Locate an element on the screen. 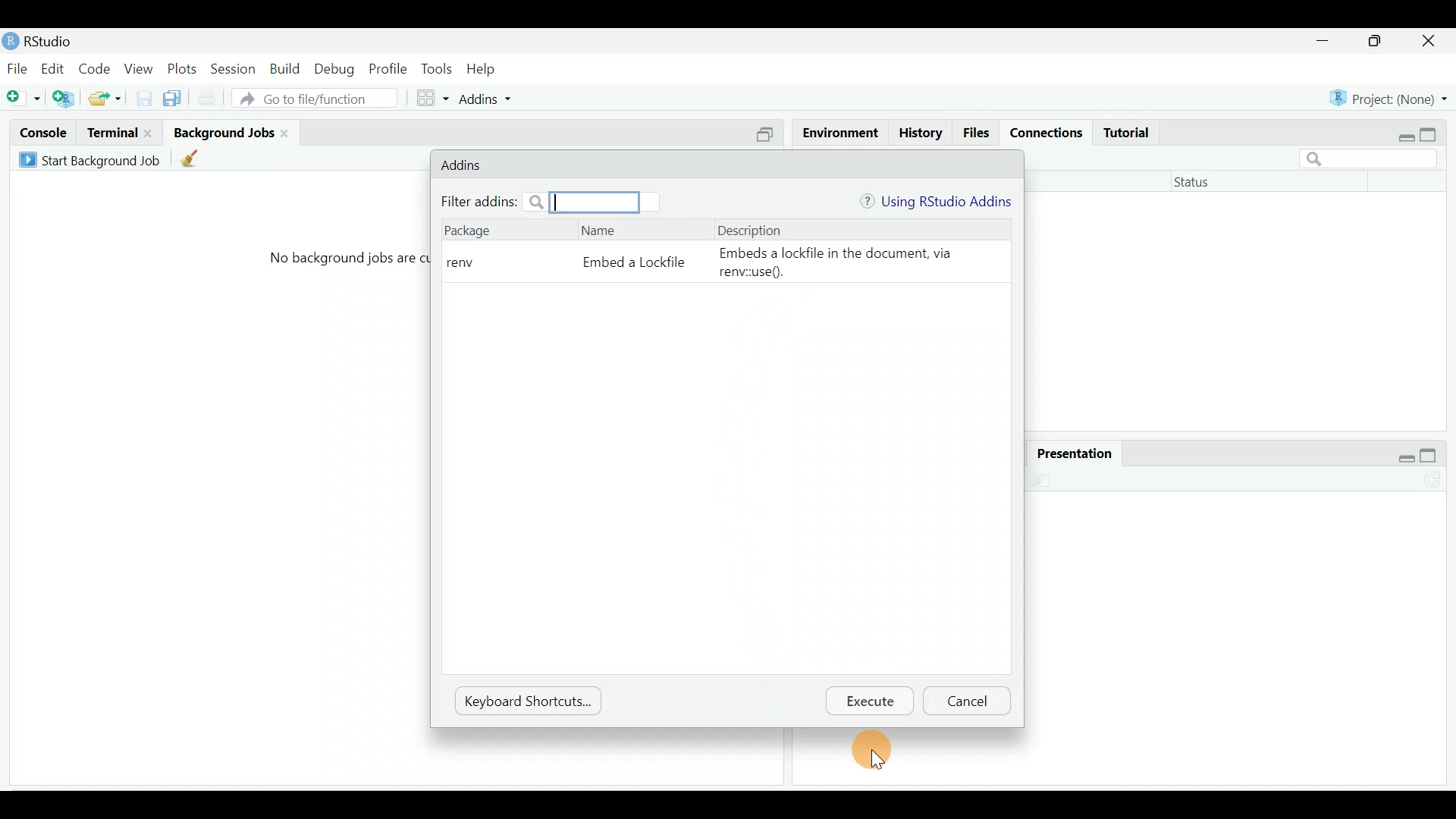  Print is located at coordinates (932, 482).